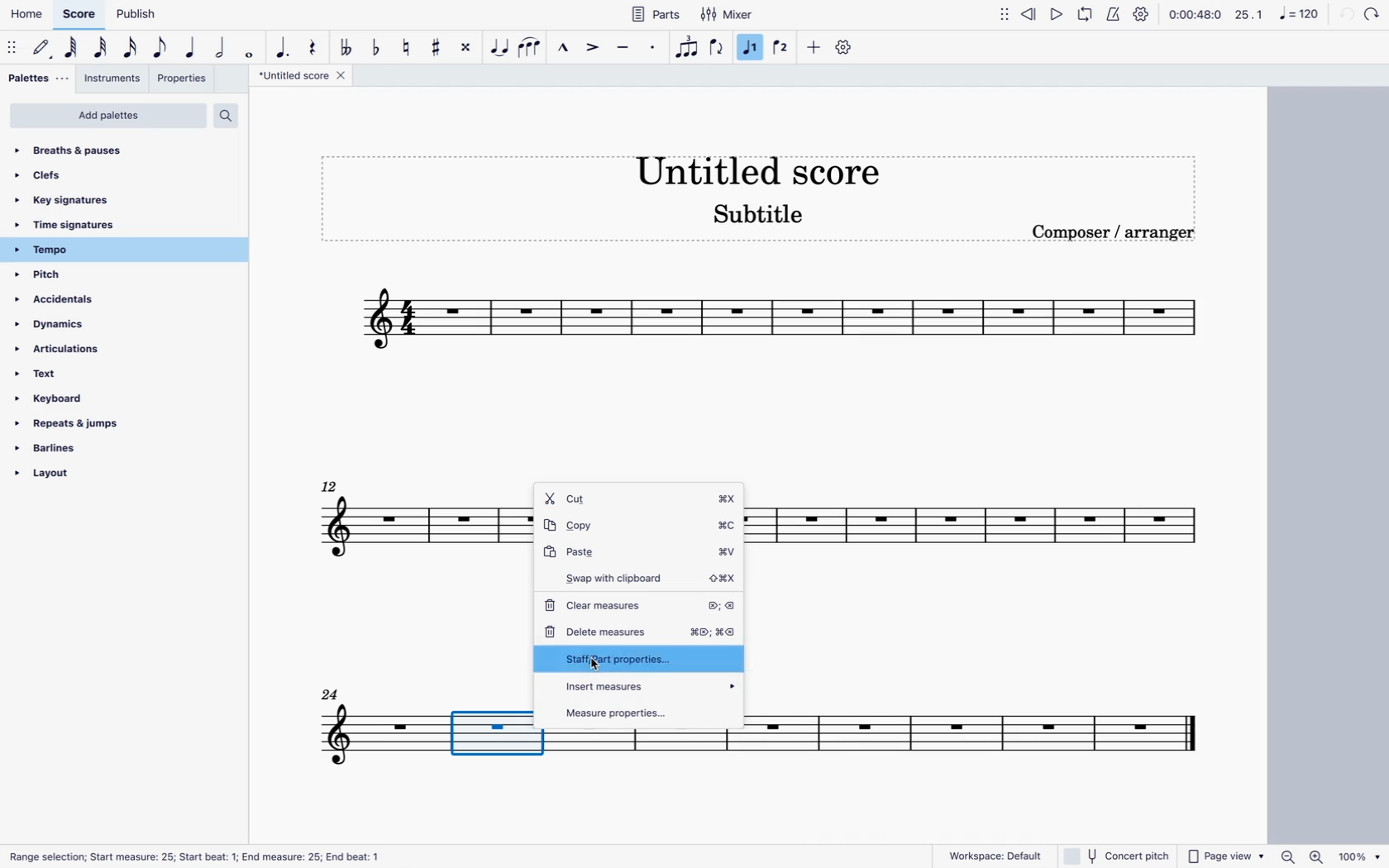 The height and width of the screenshot is (868, 1389). What do you see at coordinates (231, 117) in the screenshot?
I see `search` at bounding box center [231, 117].